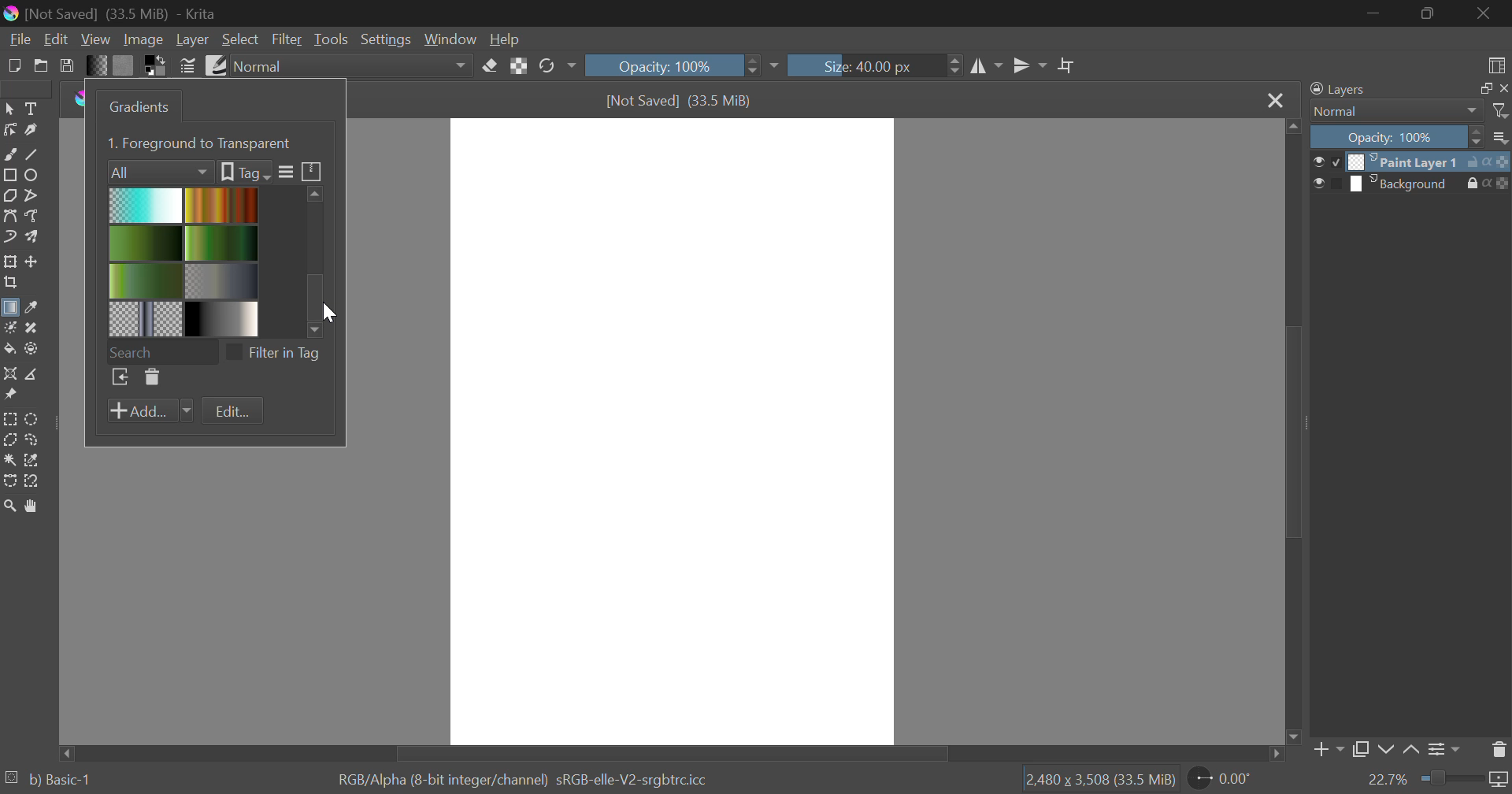 This screenshot has height=794, width=1512. Describe the element at coordinates (1476, 184) in the screenshot. I see `lock` at that location.